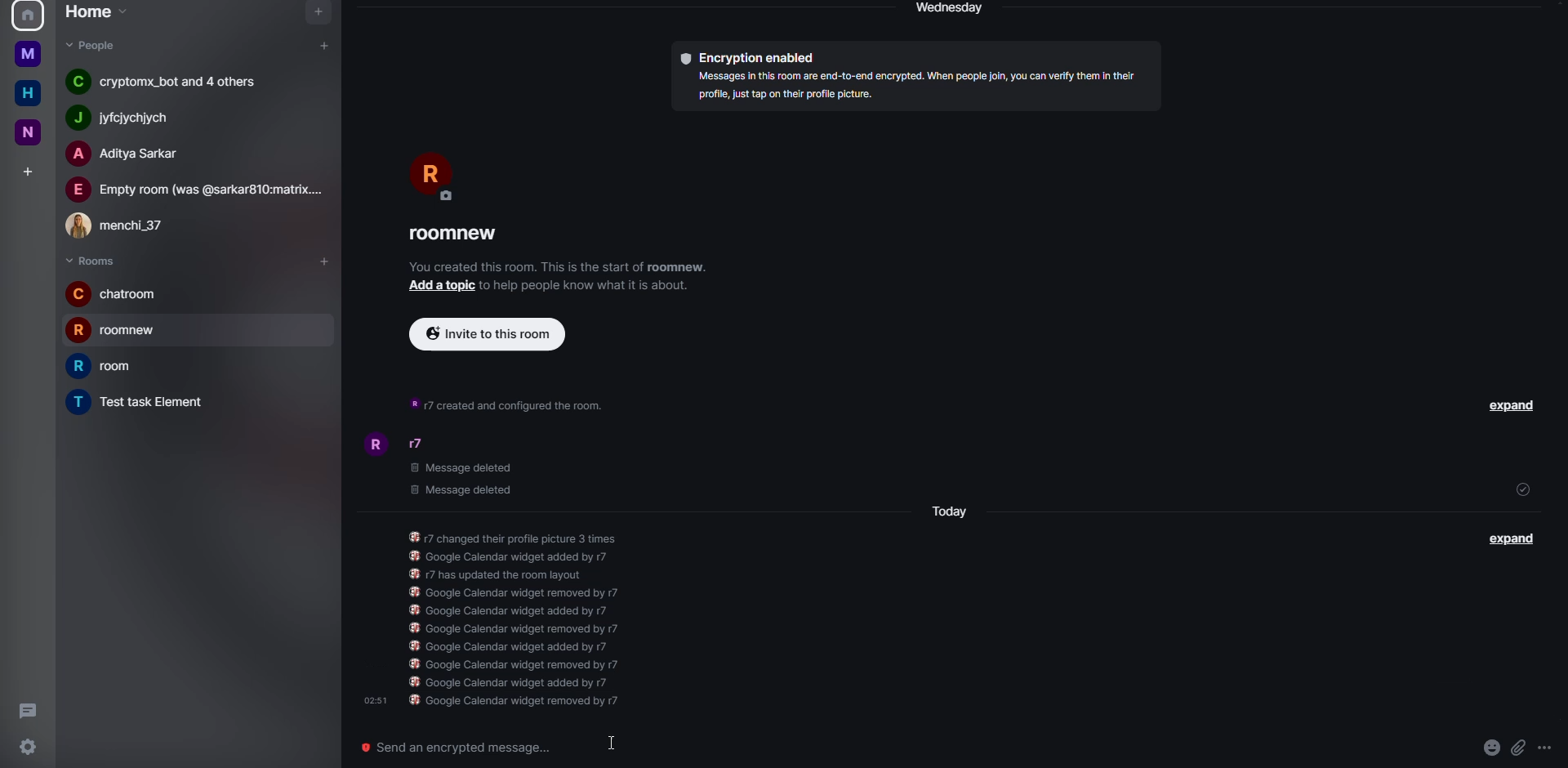 The height and width of the screenshot is (768, 1568). What do you see at coordinates (325, 45) in the screenshot?
I see `add` at bounding box center [325, 45].